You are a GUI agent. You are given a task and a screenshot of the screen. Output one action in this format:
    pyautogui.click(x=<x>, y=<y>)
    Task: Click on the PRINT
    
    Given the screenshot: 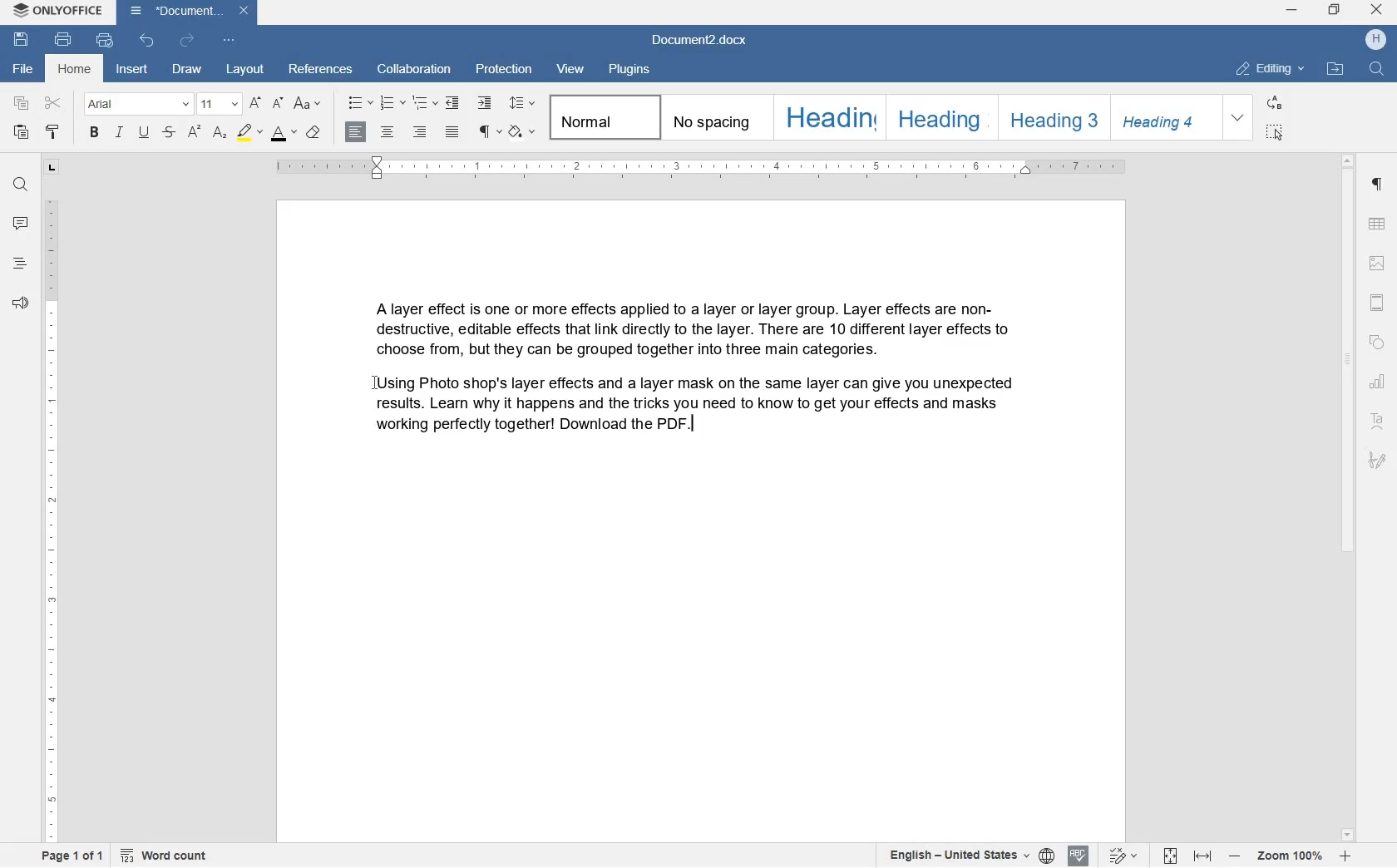 What is the action you would take?
    pyautogui.click(x=64, y=39)
    